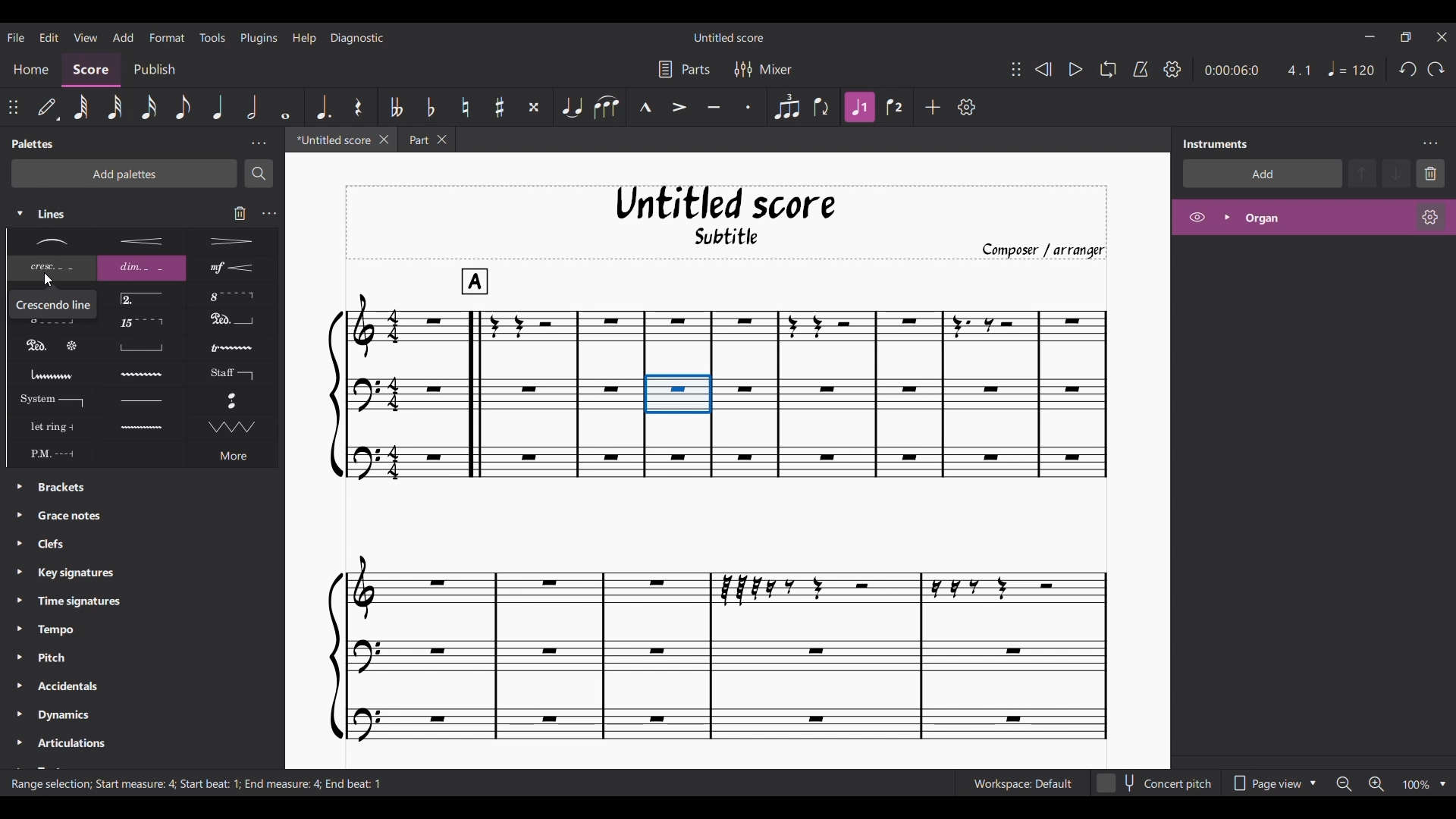 The image size is (1456, 819). Describe the element at coordinates (168, 37) in the screenshot. I see `Format menu` at that location.